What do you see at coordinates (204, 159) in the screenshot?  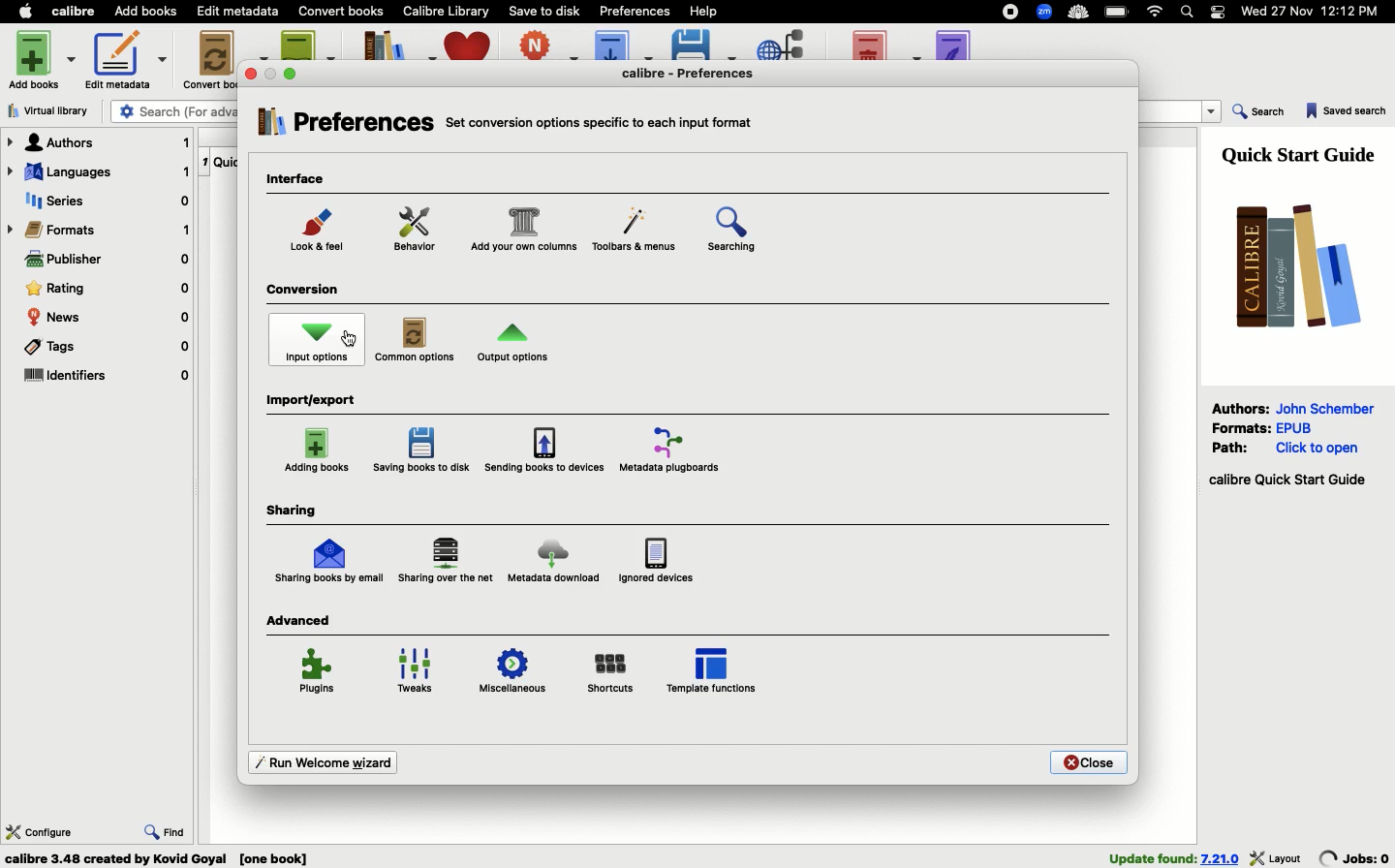 I see `1` at bounding box center [204, 159].